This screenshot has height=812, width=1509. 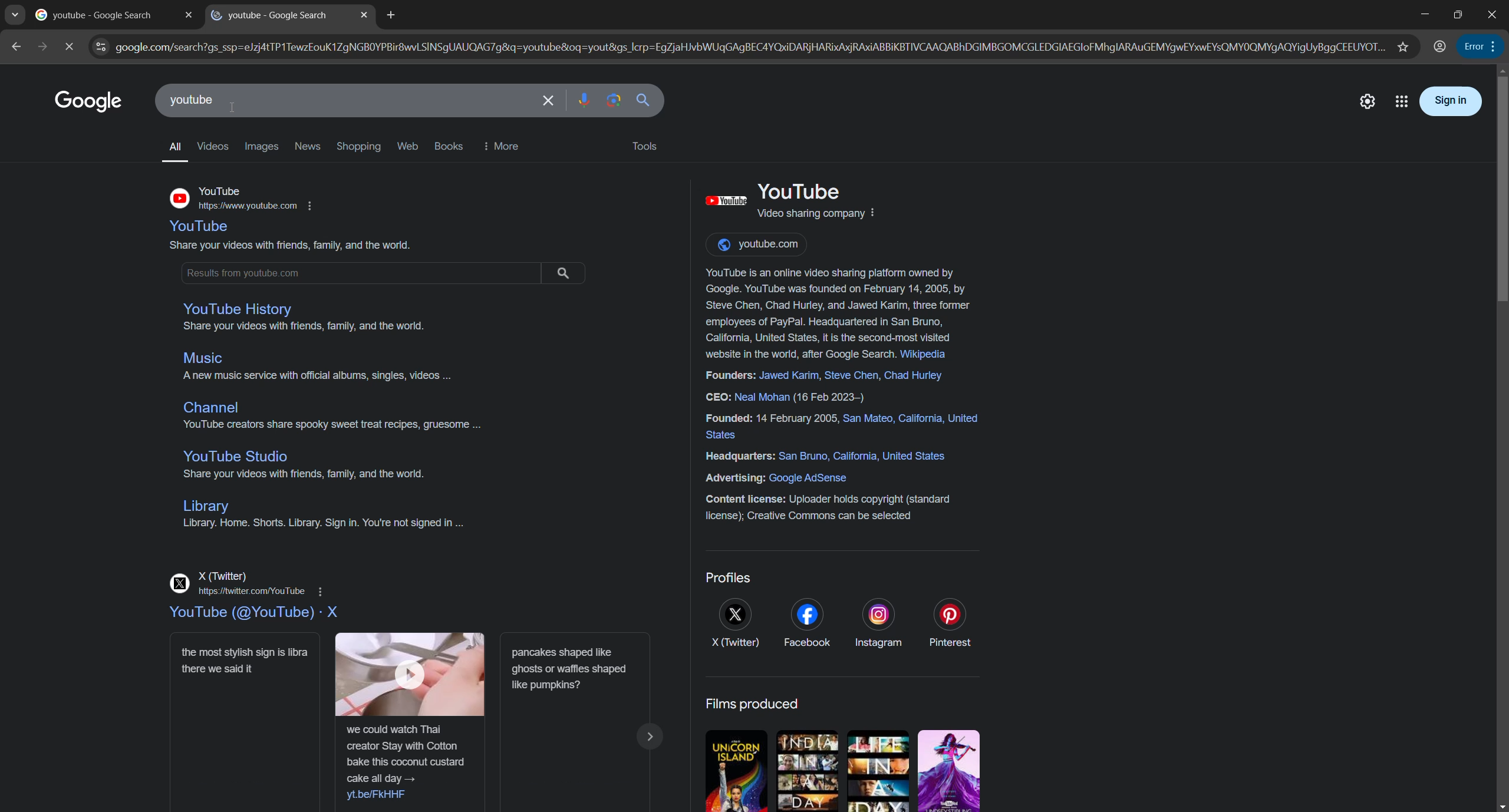 I want to click on youtube, so click(x=202, y=227).